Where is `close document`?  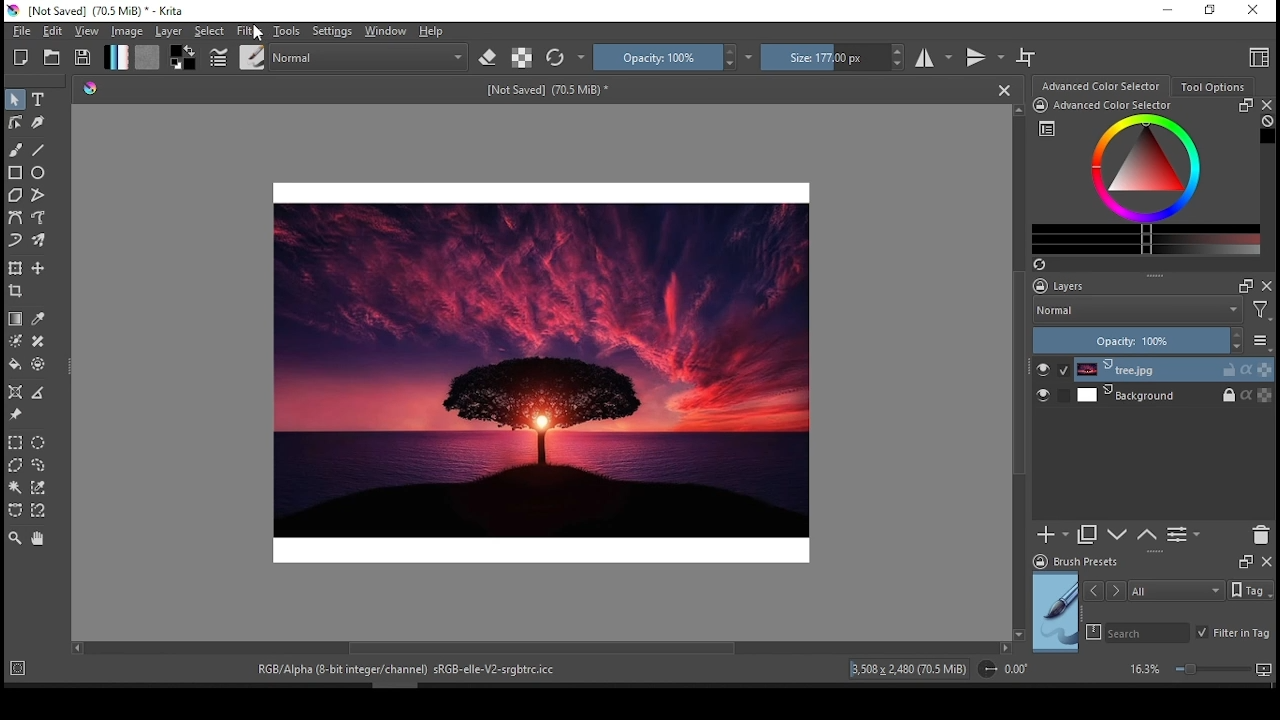
close document is located at coordinates (1005, 89).